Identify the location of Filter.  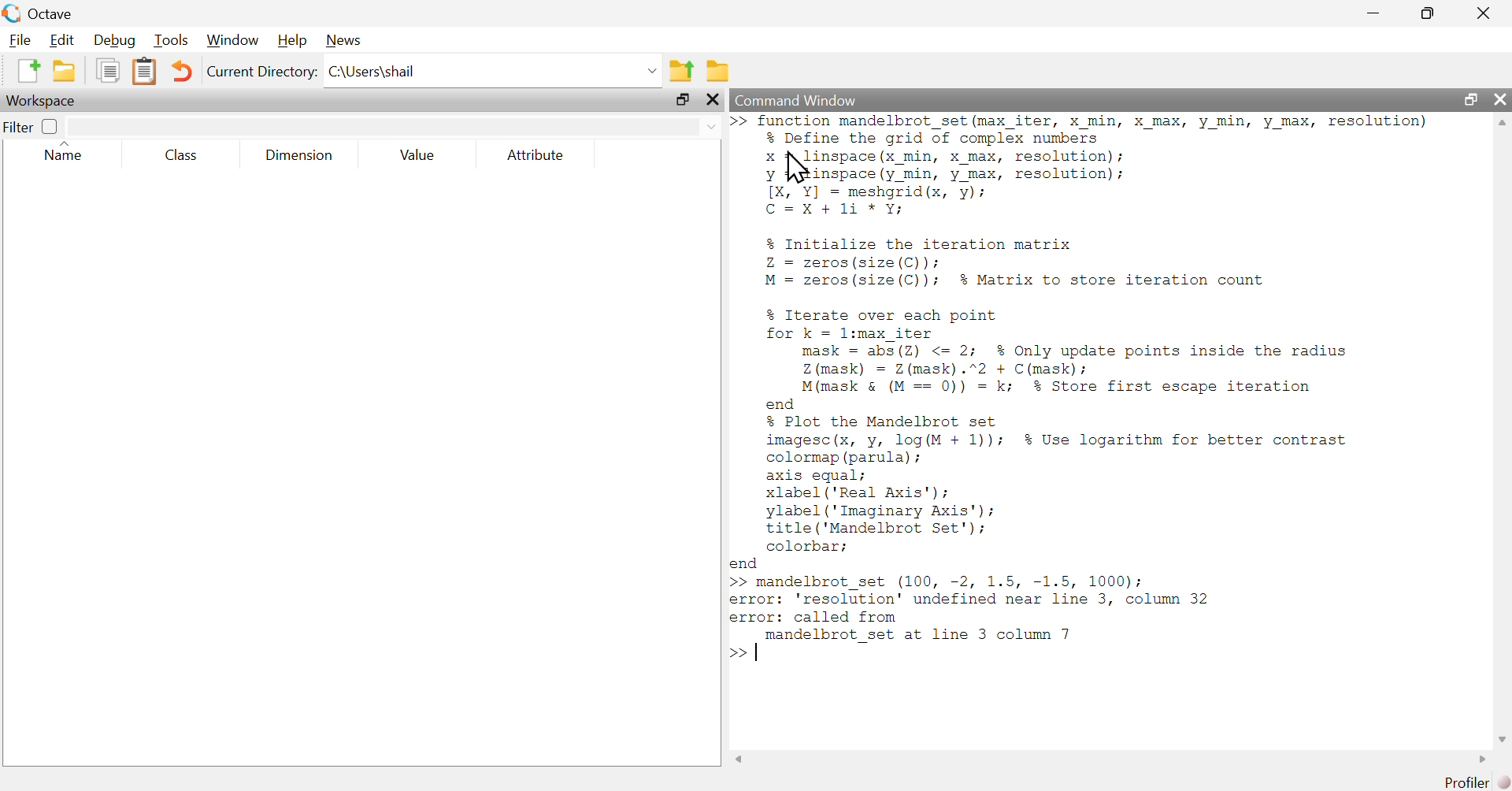
(32, 126).